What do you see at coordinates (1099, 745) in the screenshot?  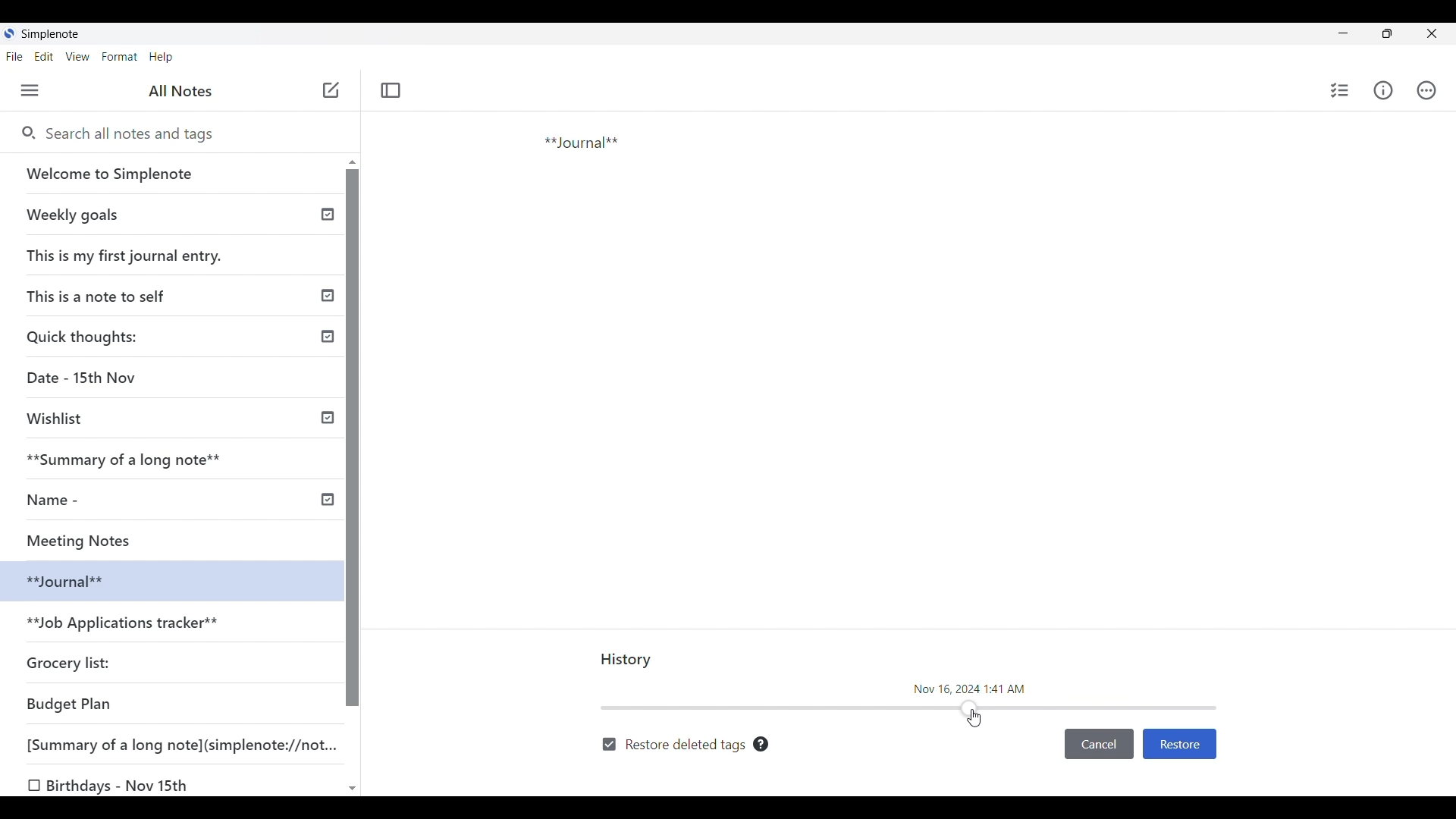 I see `Cancel inputs made` at bounding box center [1099, 745].